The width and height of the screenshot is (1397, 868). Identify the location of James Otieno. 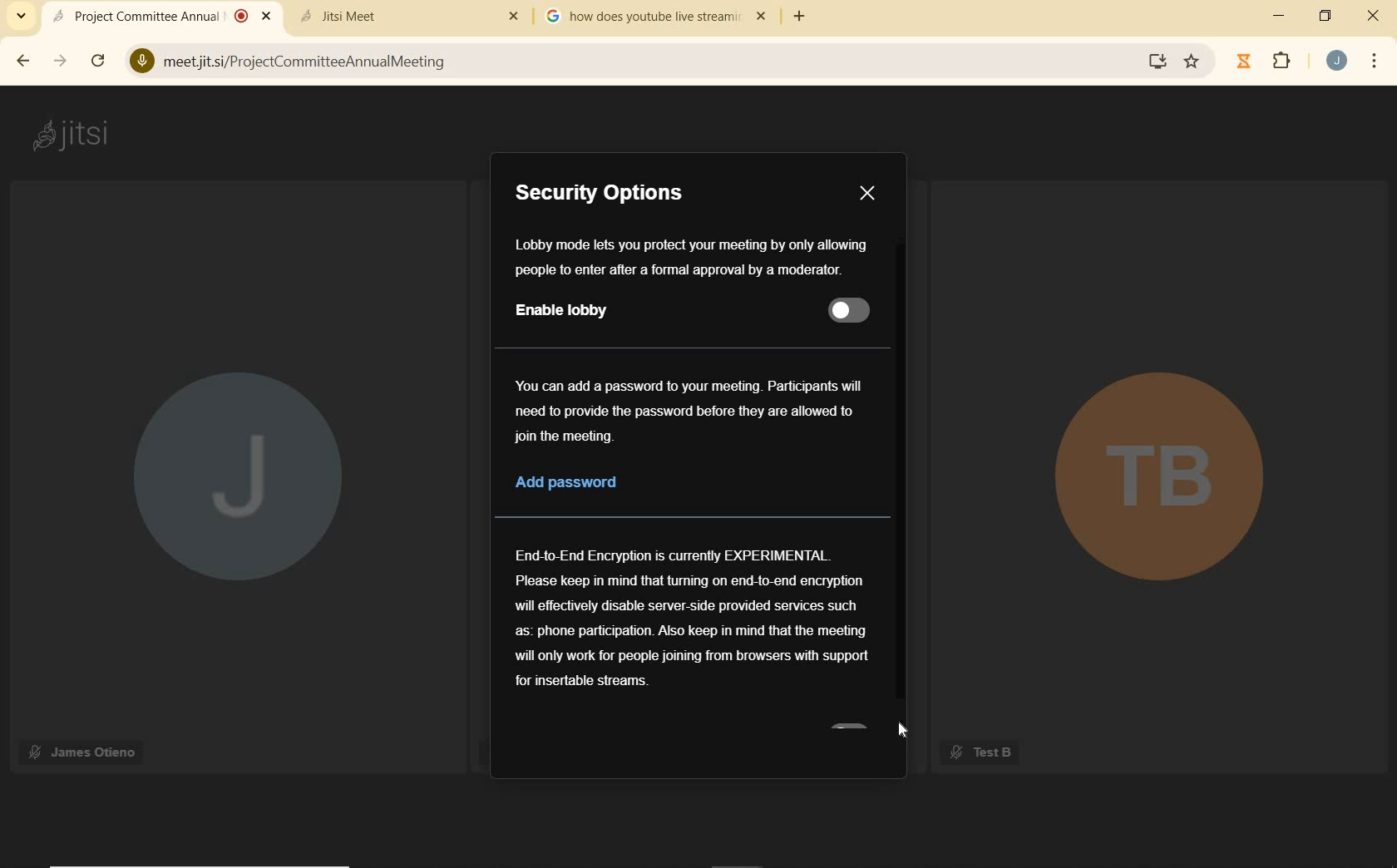
(85, 750).